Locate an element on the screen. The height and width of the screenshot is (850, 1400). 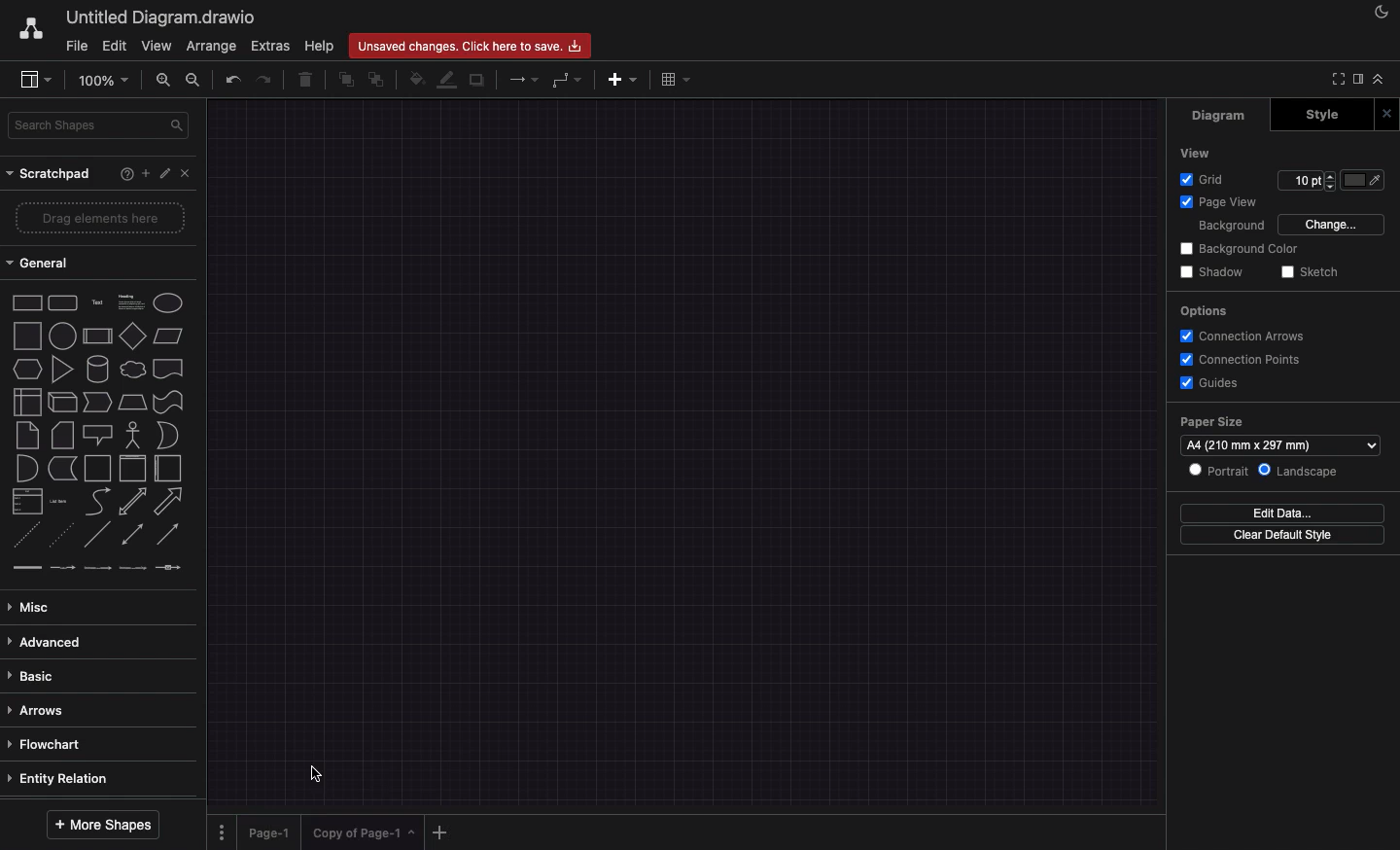
sidebar is located at coordinates (35, 81).